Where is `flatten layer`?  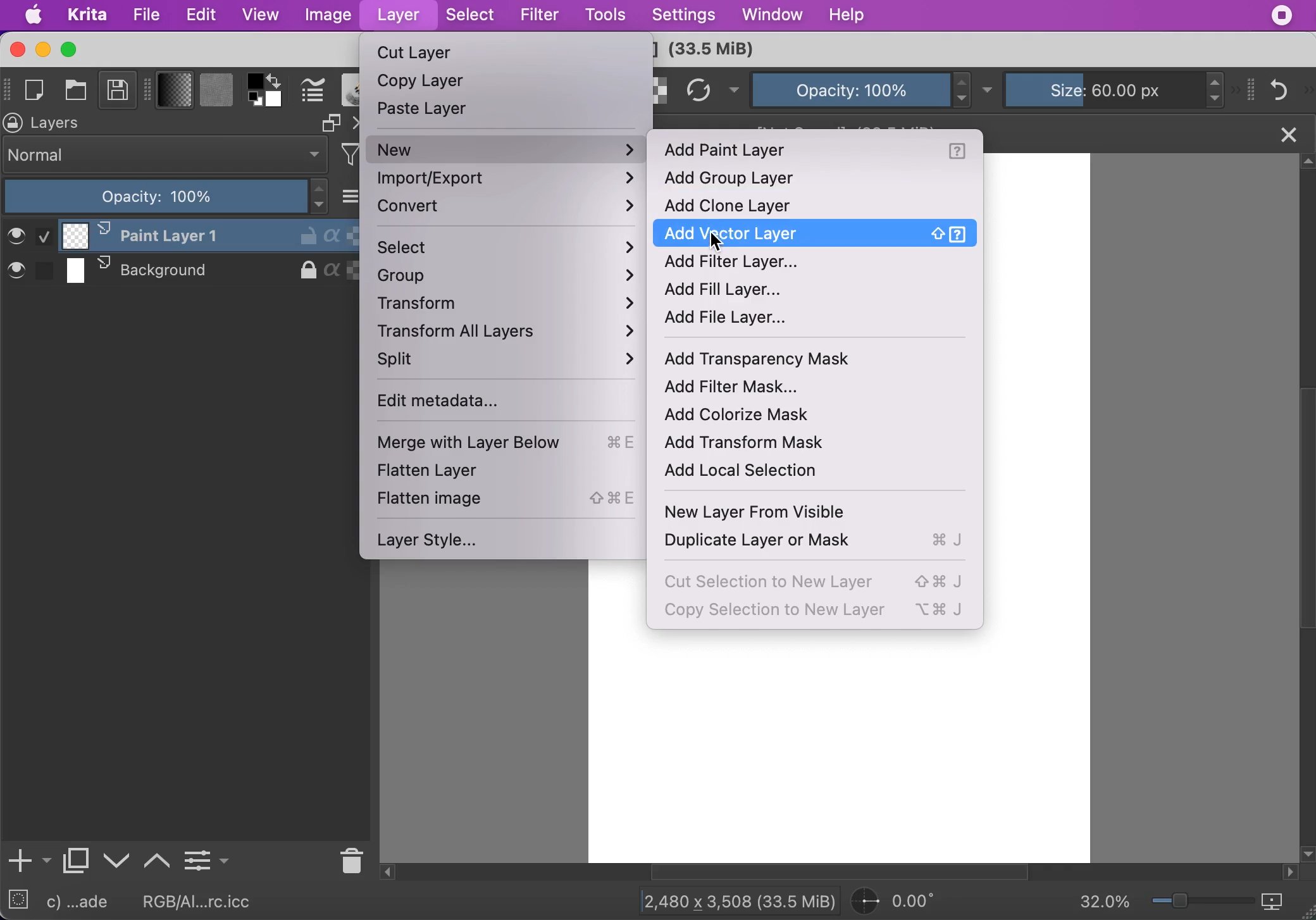 flatten layer is located at coordinates (454, 472).